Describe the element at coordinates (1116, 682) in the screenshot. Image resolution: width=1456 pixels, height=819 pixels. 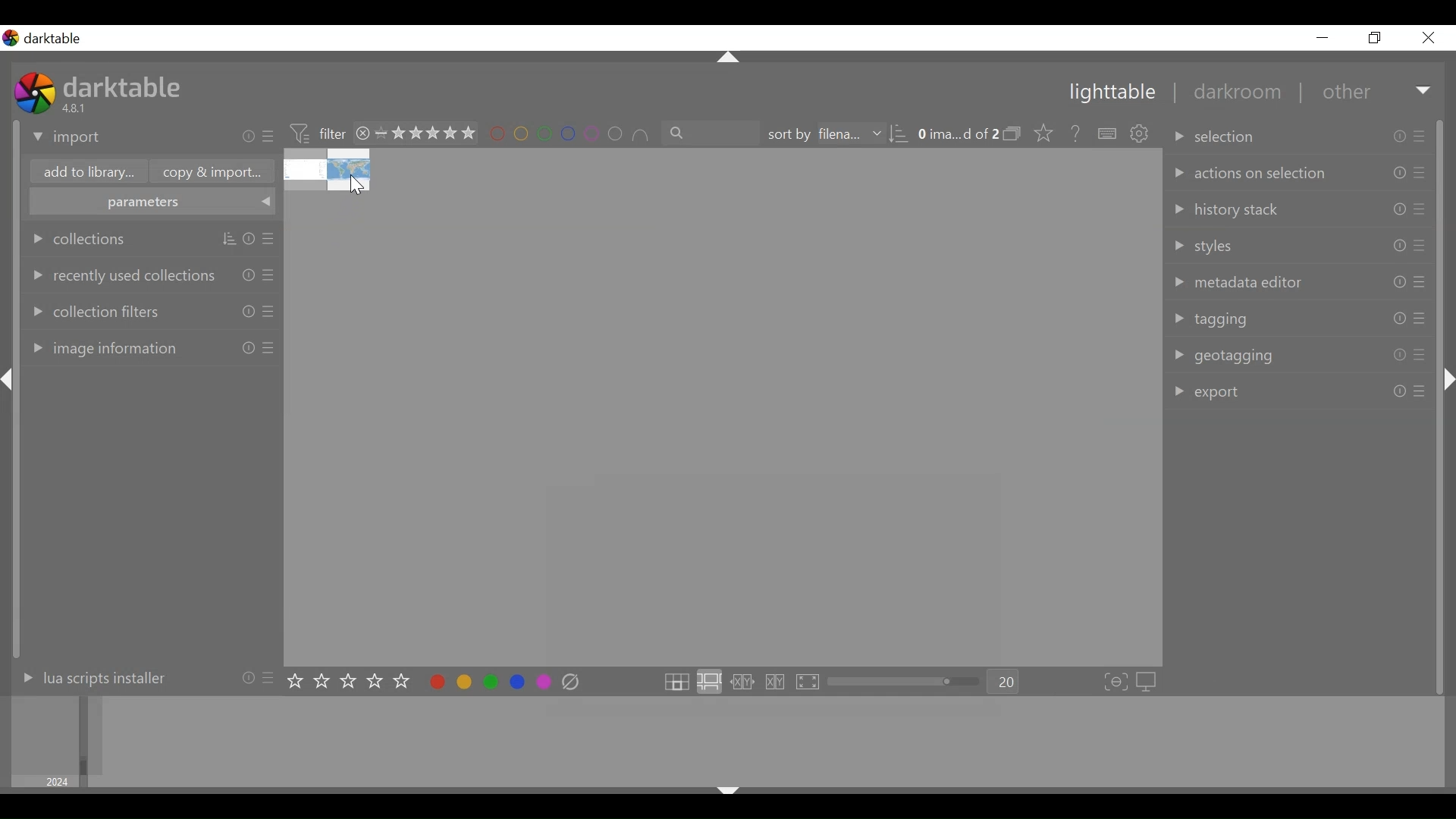
I see `toggle focus-peaking mode` at that location.